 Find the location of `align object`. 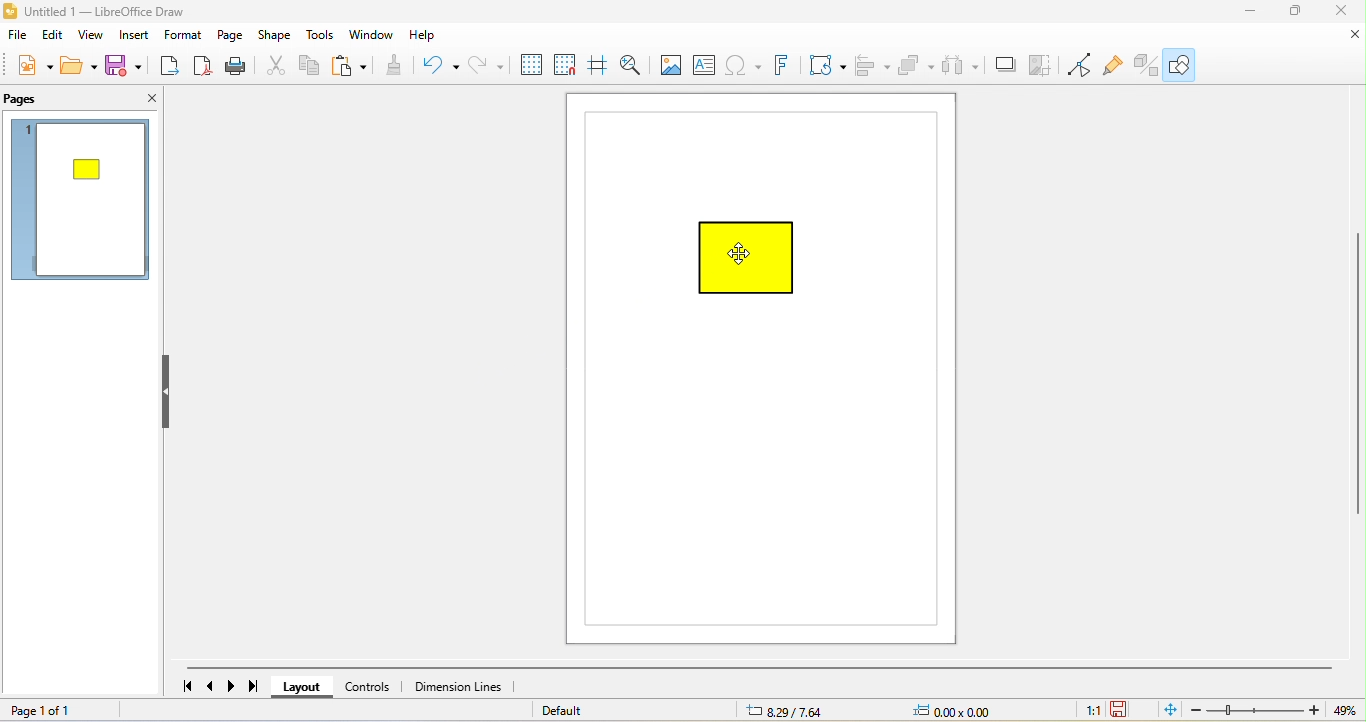

align object is located at coordinates (874, 67).